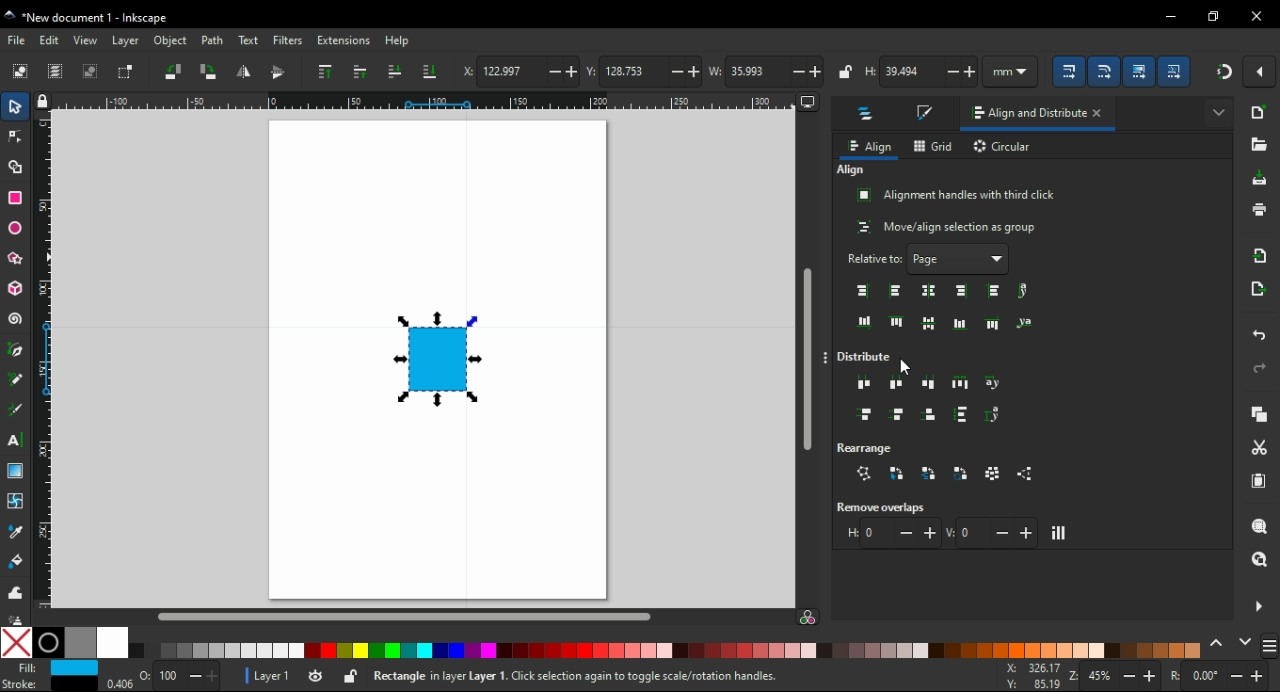 Image resolution: width=1280 pixels, height=692 pixels. Describe the element at coordinates (1260, 368) in the screenshot. I see `redo` at that location.